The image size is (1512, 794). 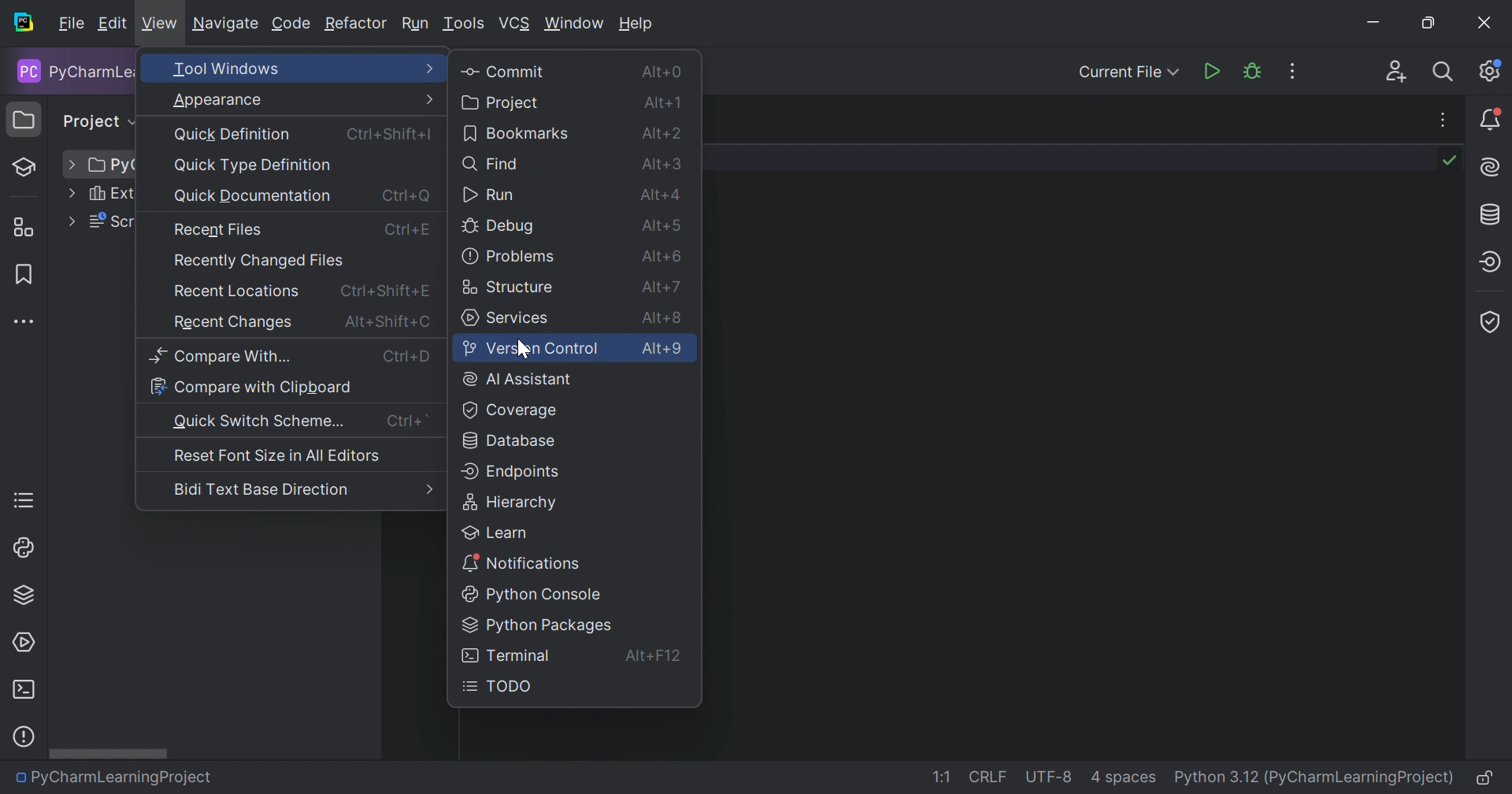 What do you see at coordinates (98, 122) in the screenshot?
I see `Project` at bounding box center [98, 122].